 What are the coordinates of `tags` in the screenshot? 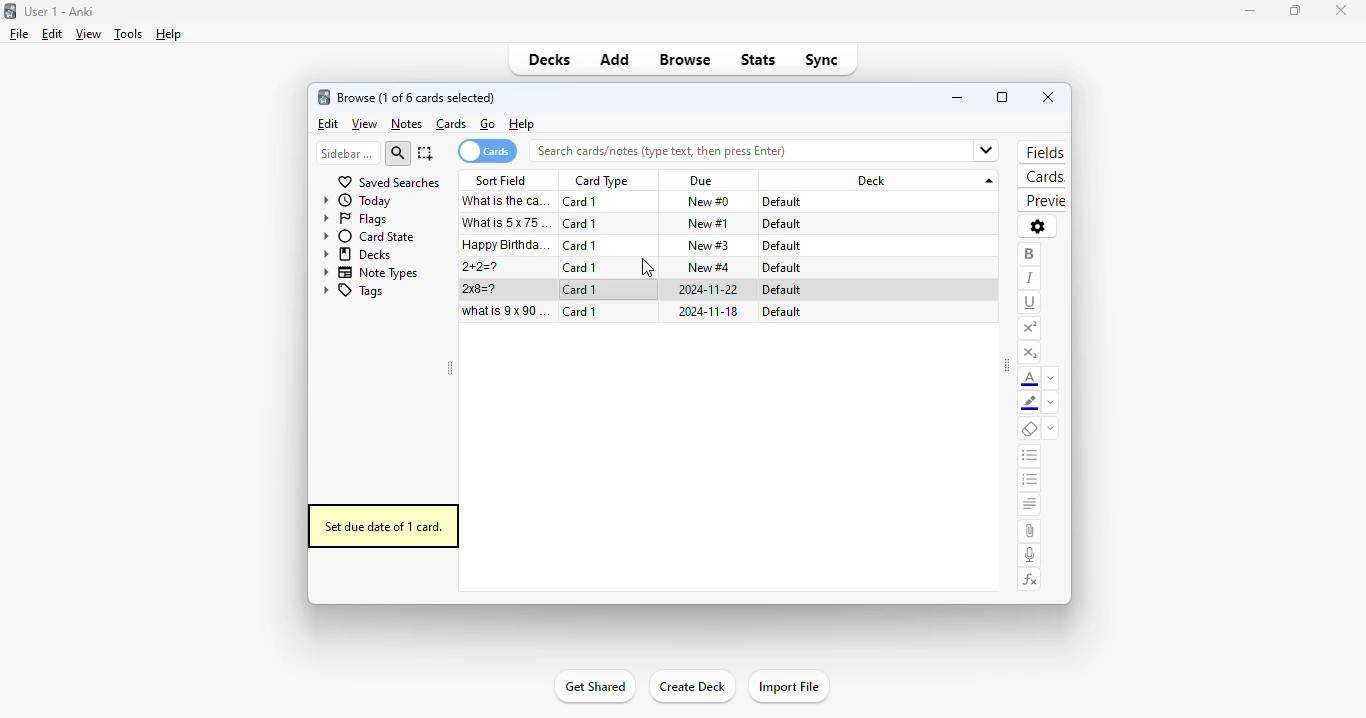 It's located at (353, 292).